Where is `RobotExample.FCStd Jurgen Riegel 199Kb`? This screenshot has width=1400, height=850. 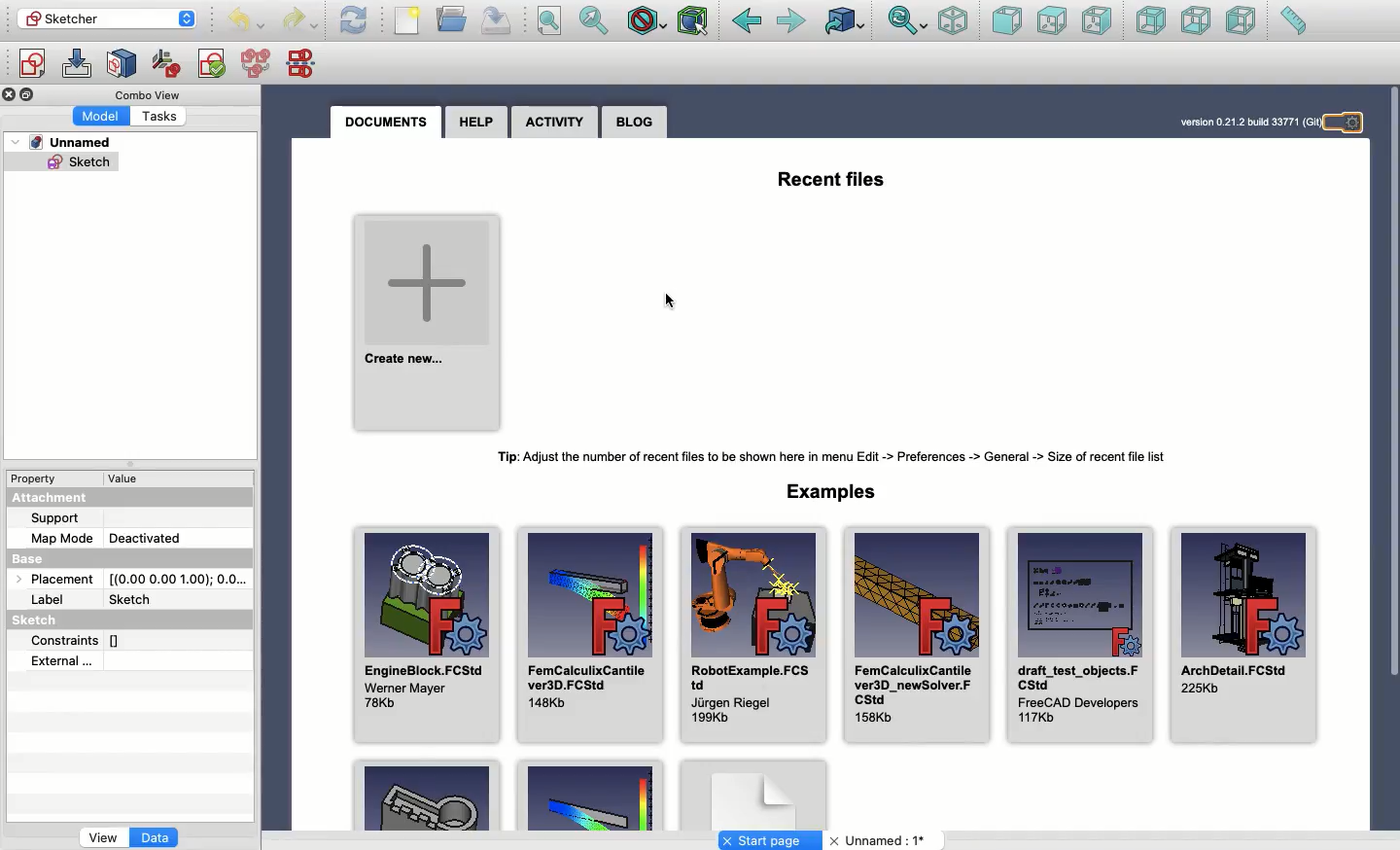
RobotExample.FCStd Jurgen Riegel 199Kb is located at coordinates (752, 633).